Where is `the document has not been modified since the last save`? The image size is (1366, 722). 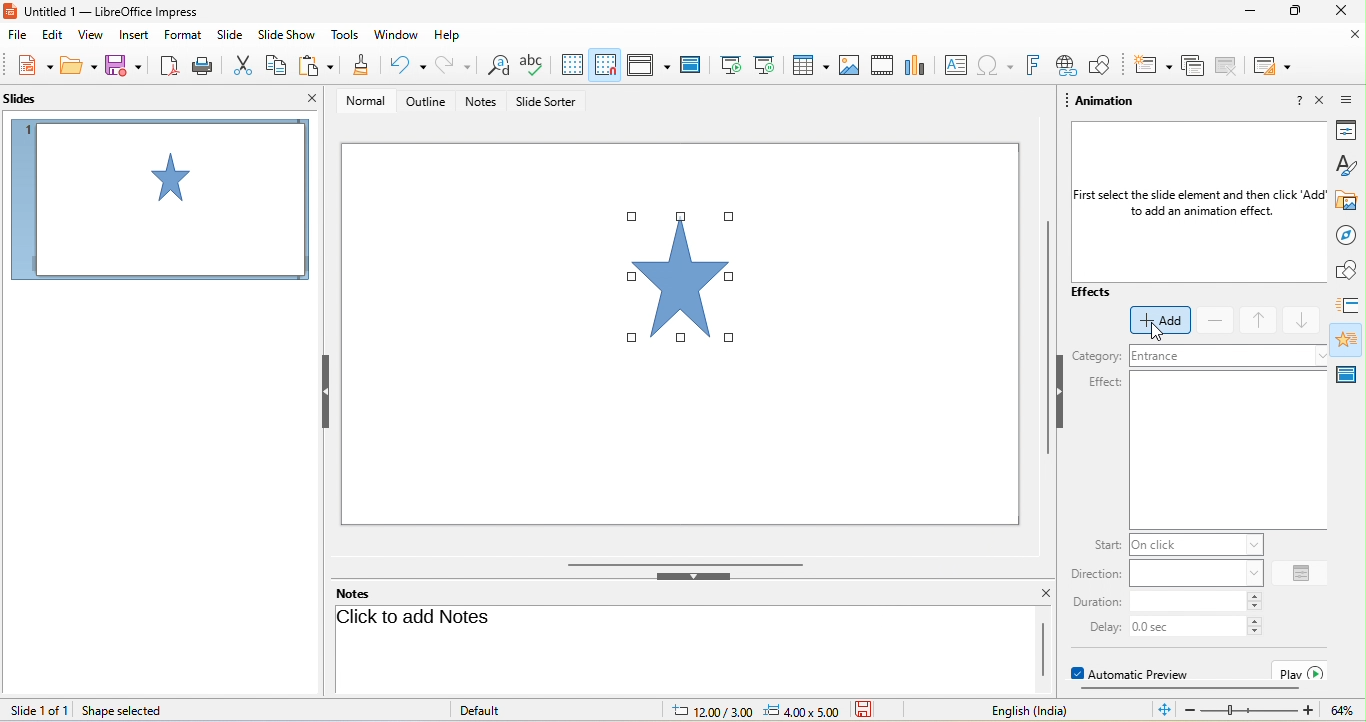
the document has not been modified since the last save is located at coordinates (876, 710).